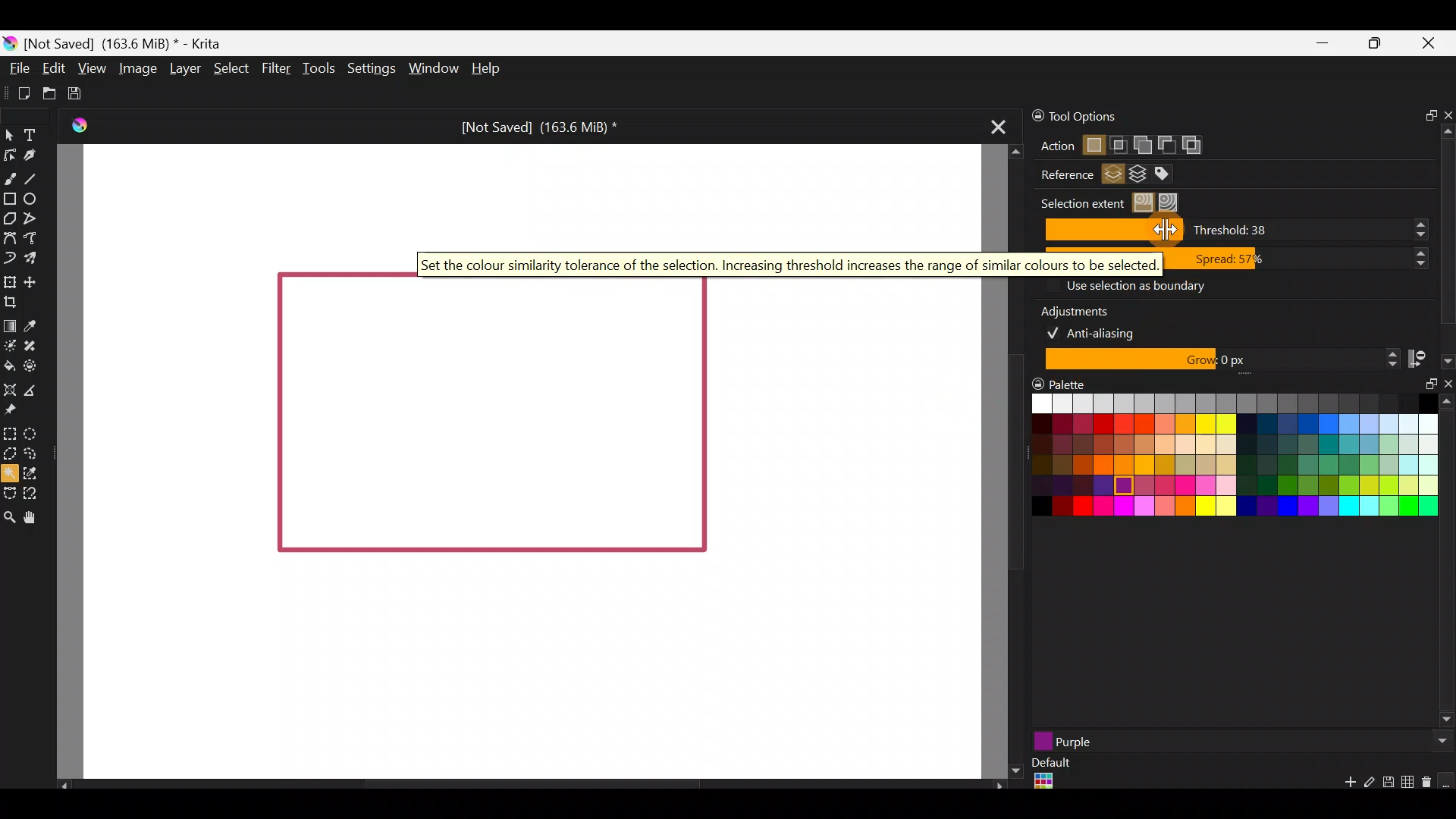 The height and width of the screenshot is (819, 1456). What do you see at coordinates (1183, 228) in the screenshot?
I see `Cursor` at bounding box center [1183, 228].